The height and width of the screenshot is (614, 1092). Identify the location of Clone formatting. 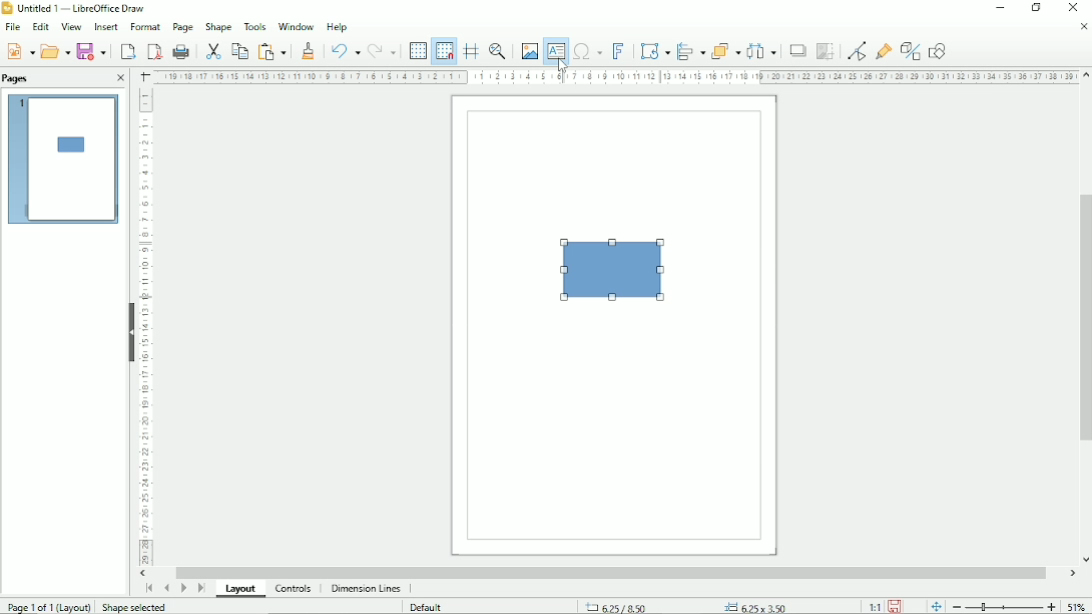
(310, 50).